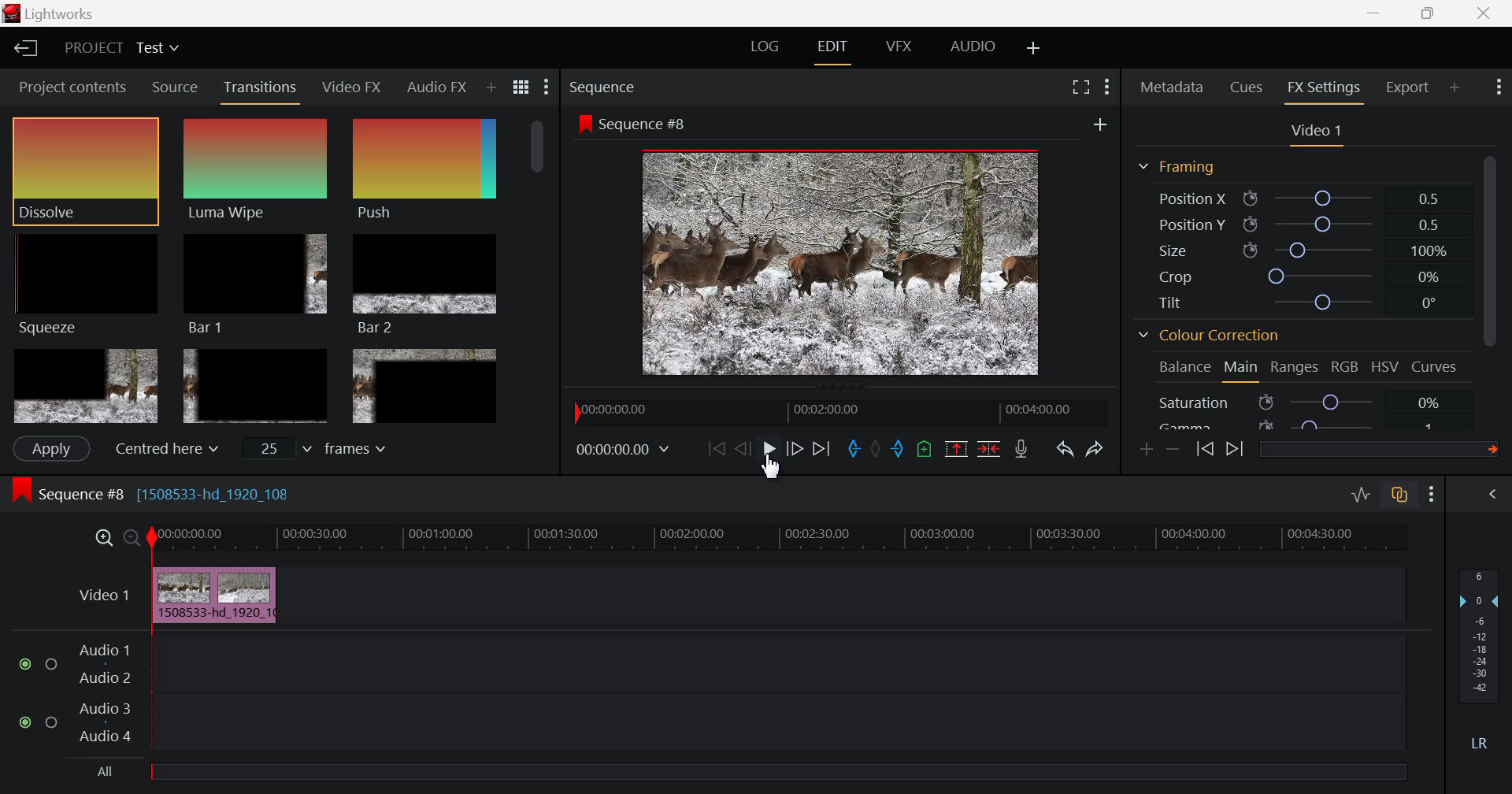 The image size is (1512, 794). Describe the element at coordinates (898, 450) in the screenshot. I see `Out mark` at that location.